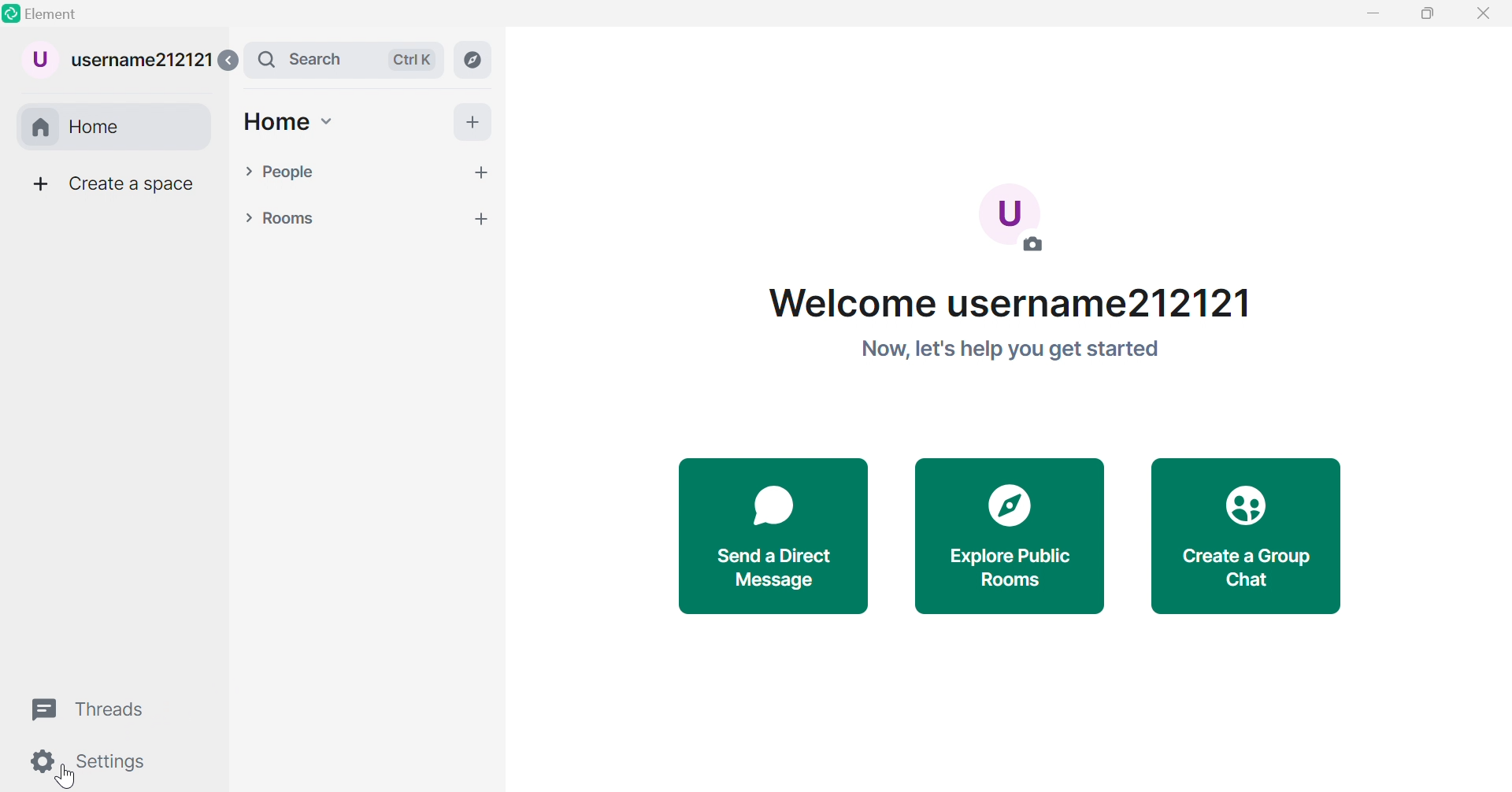  Describe the element at coordinates (1009, 350) in the screenshot. I see `Now, let's help you get started` at that location.